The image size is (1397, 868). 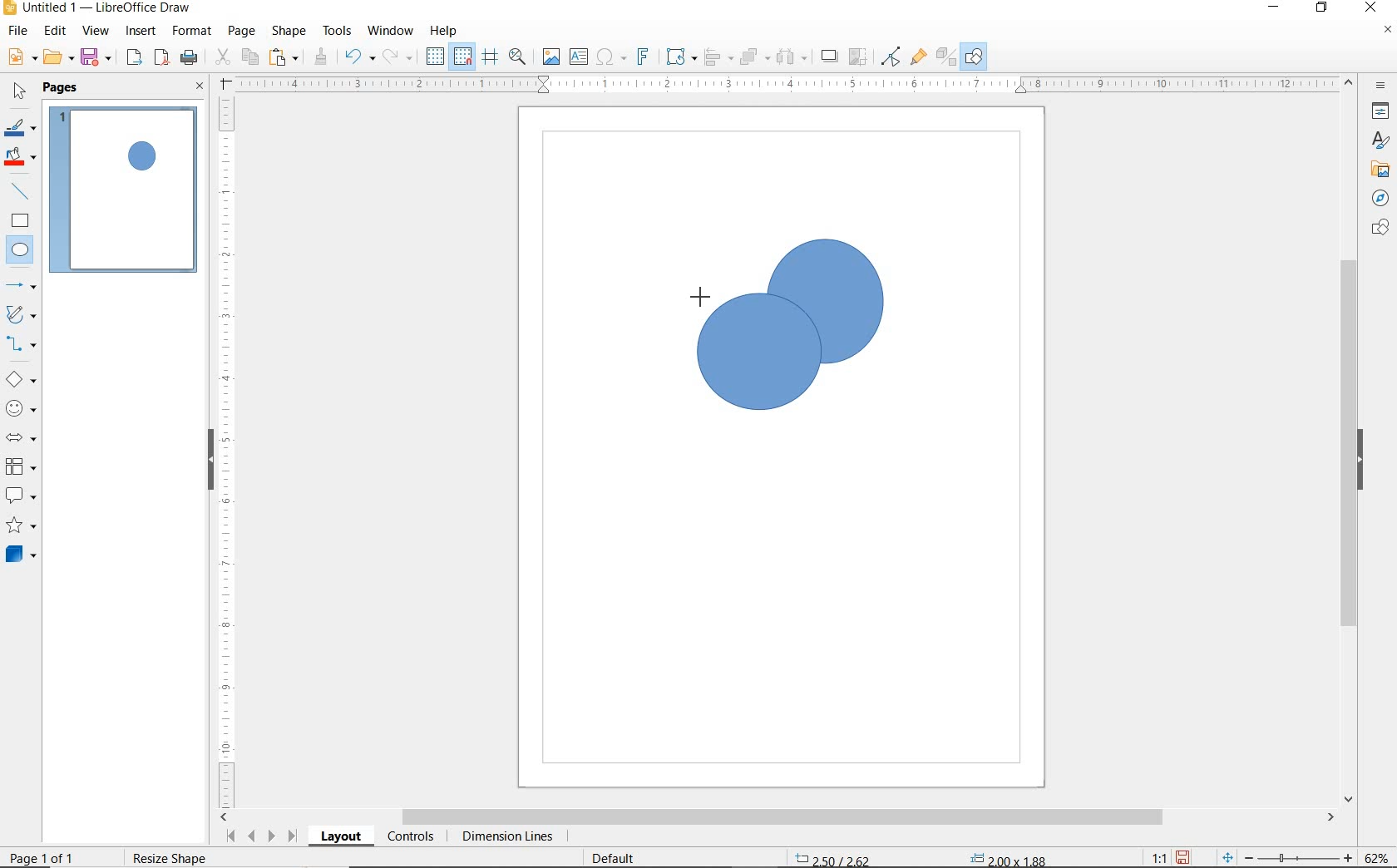 I want to click on SAVE, so click(x=98, y=57).